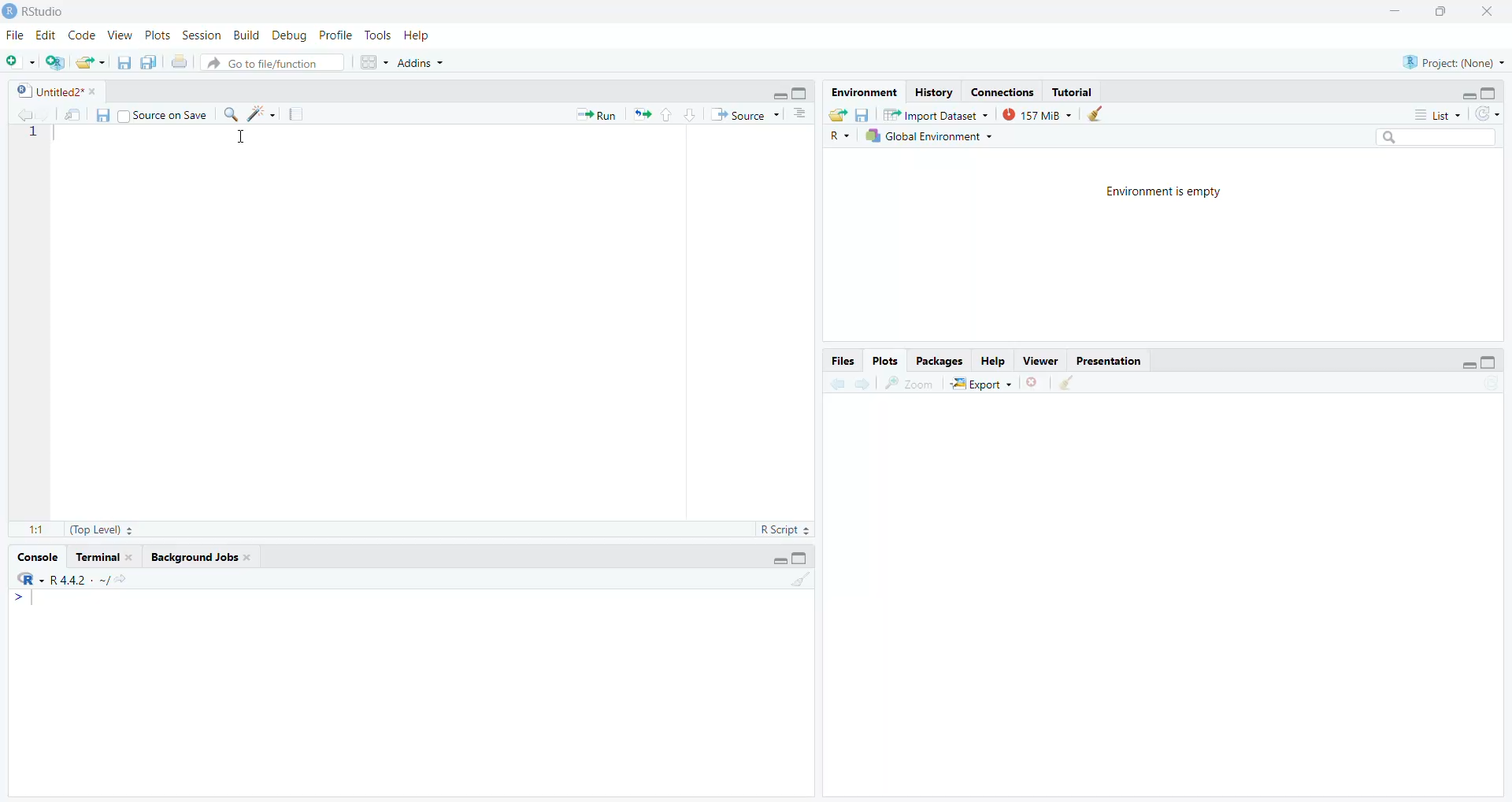 The height and width of the screenshot is (802, 1512). Describe the element at coordinates (1471, 94) in the screenshot. I see `minimize` at that location.